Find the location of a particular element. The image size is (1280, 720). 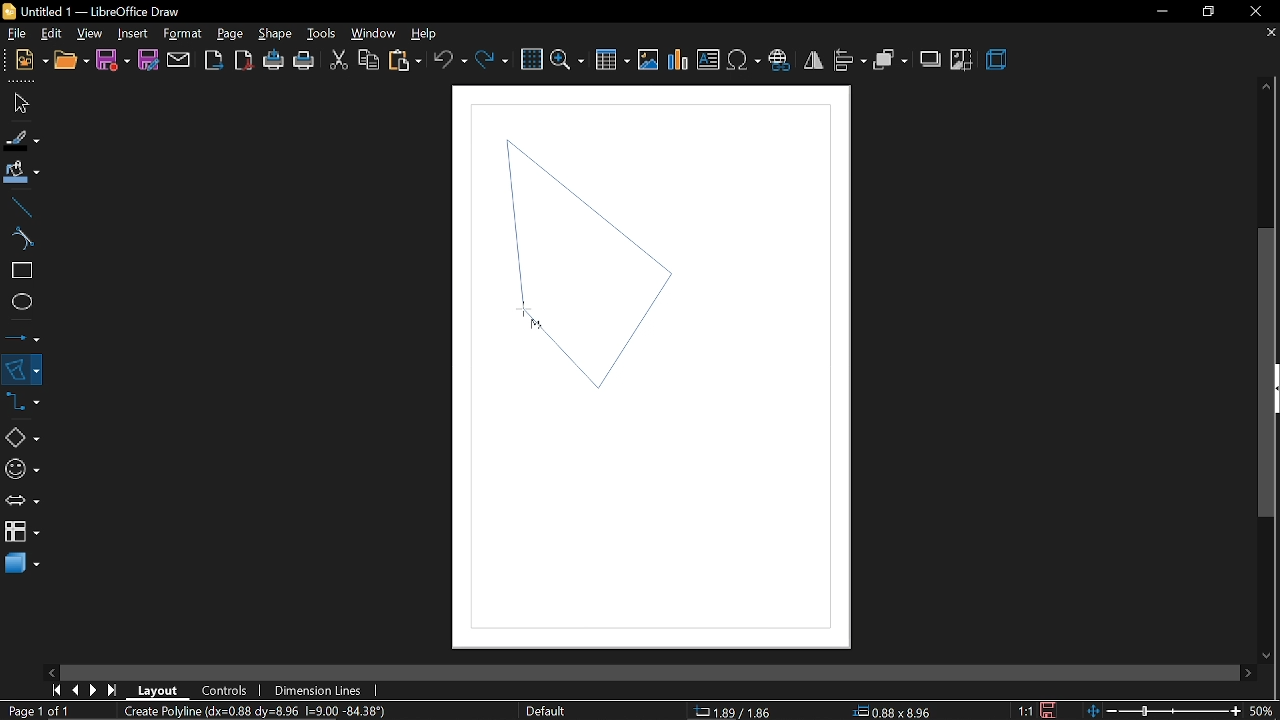

position 00X00 is located at coordinates (892, 708).